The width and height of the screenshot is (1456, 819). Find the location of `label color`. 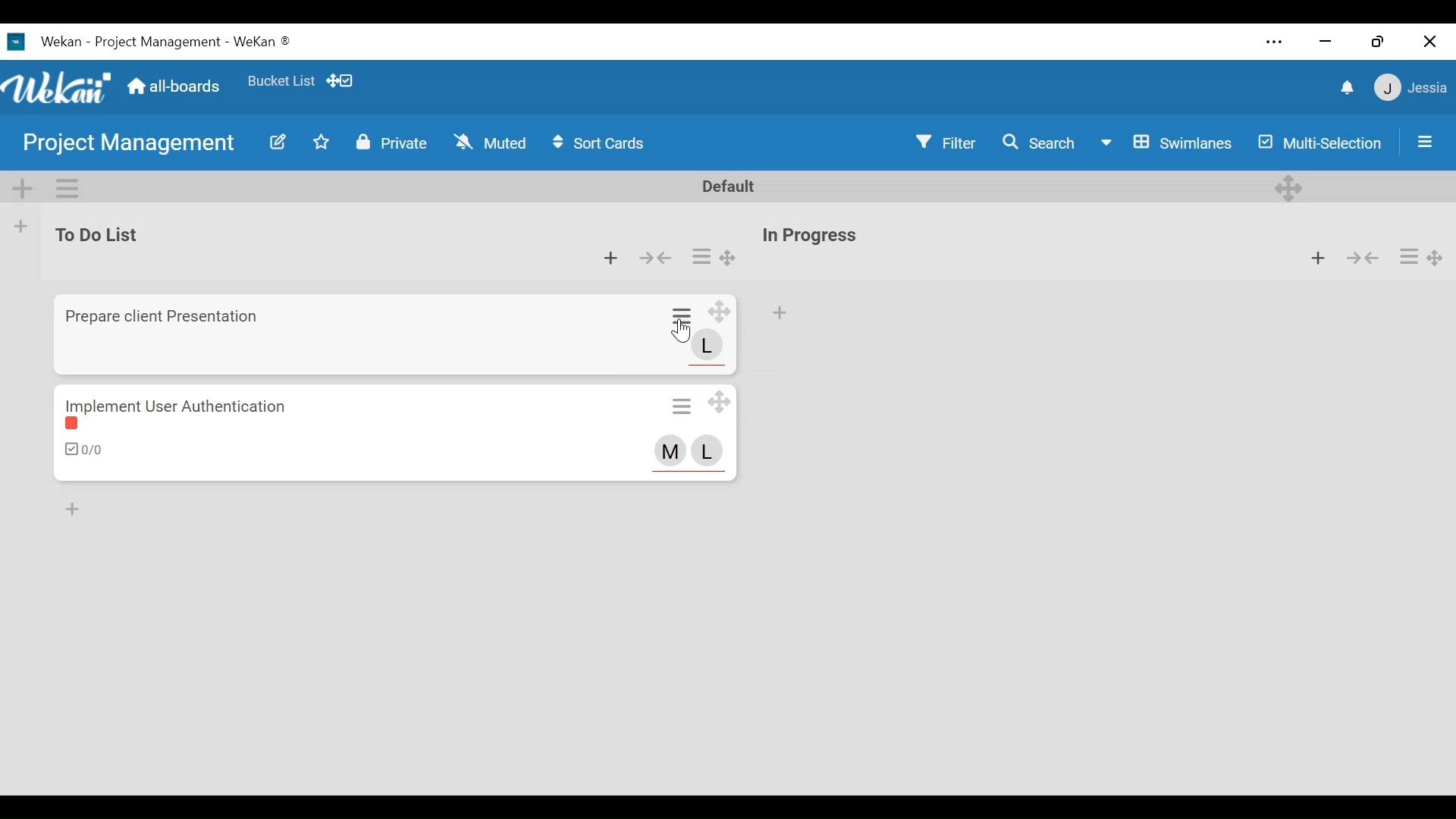

label color is located at coordinates (76, 426).